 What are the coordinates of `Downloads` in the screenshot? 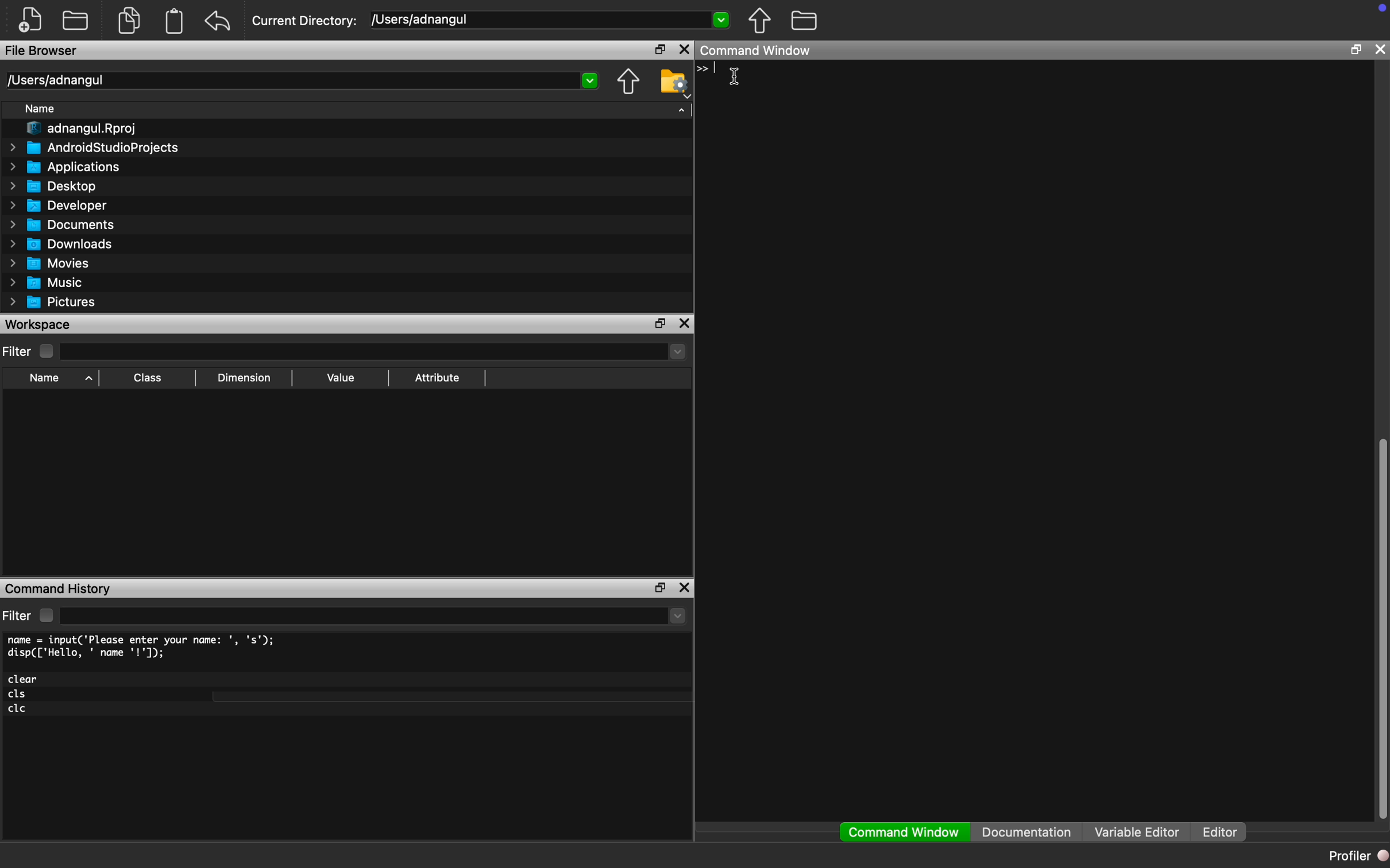 It's located at (63, 243).